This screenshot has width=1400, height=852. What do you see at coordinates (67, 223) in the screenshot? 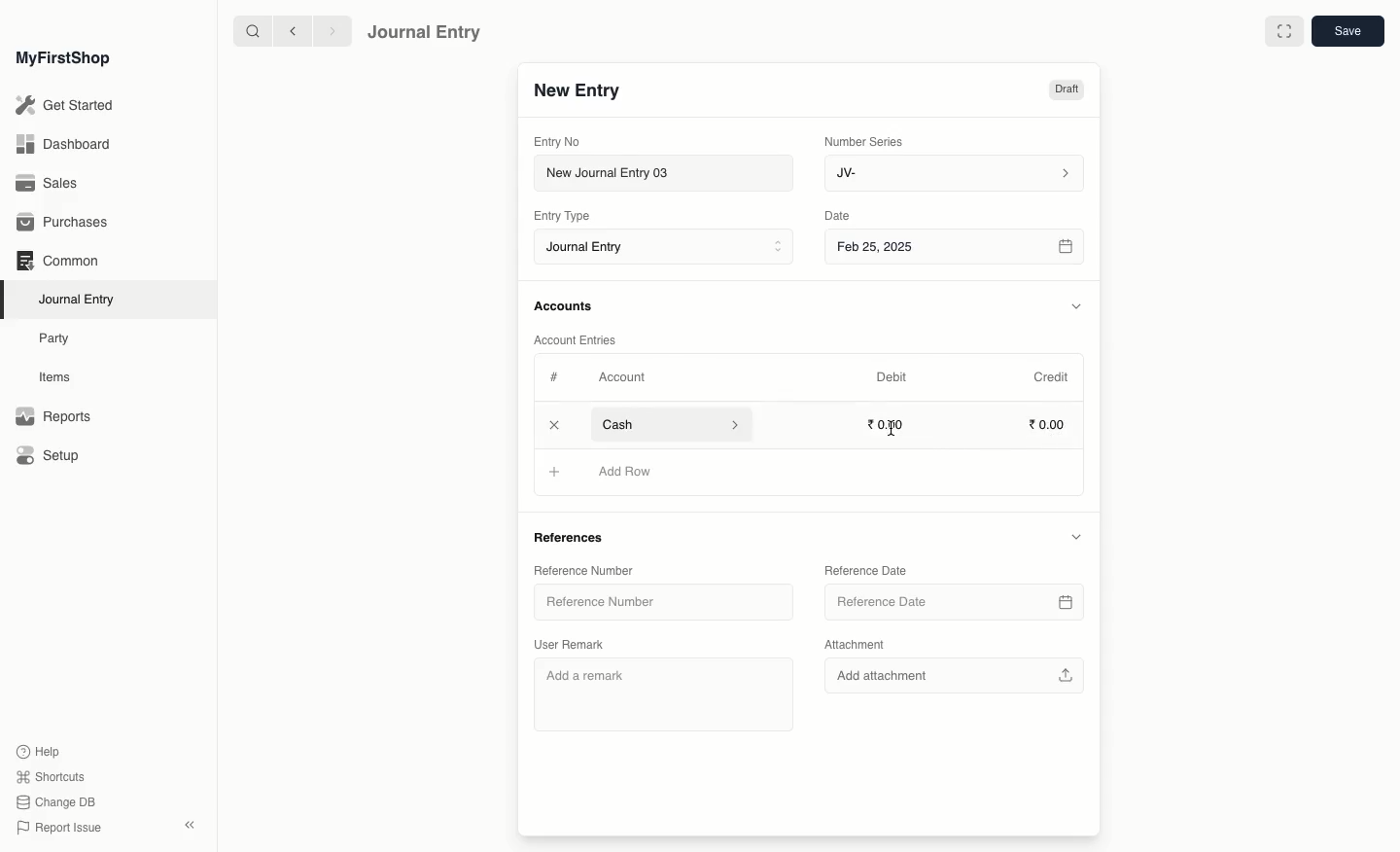
I see `Purchases` at bounding box center [67, 223].